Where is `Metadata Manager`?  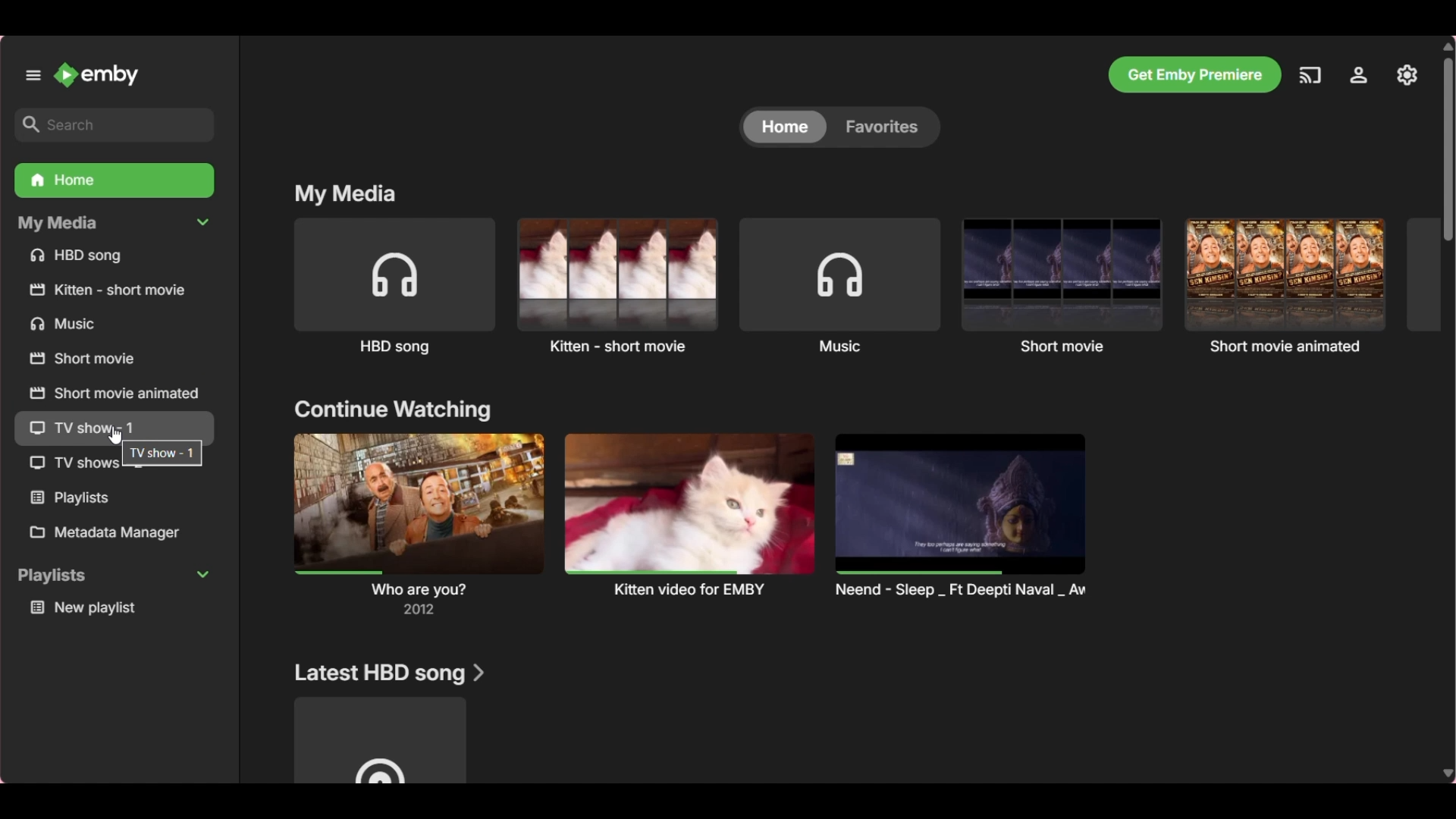
Metadata Manager is located at coordinates (114, 532).